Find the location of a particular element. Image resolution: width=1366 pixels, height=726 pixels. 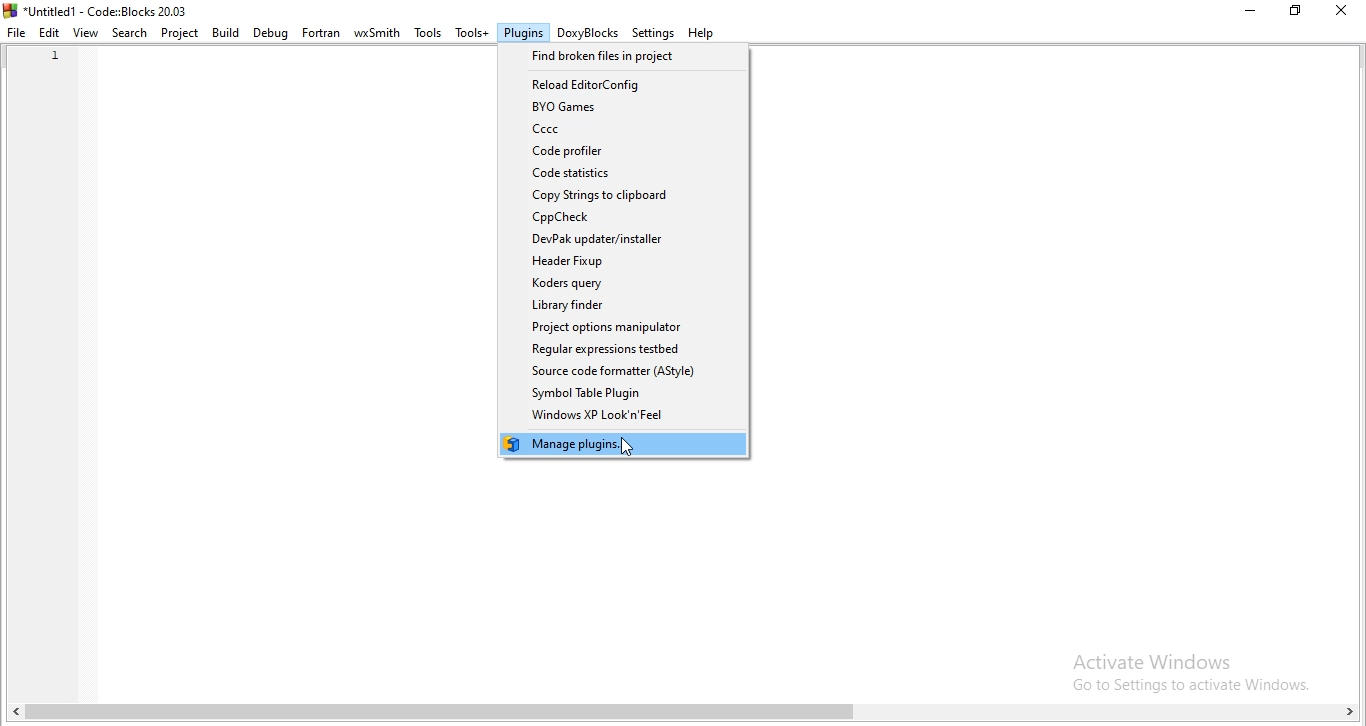

View is located at coordinates (85, 34).